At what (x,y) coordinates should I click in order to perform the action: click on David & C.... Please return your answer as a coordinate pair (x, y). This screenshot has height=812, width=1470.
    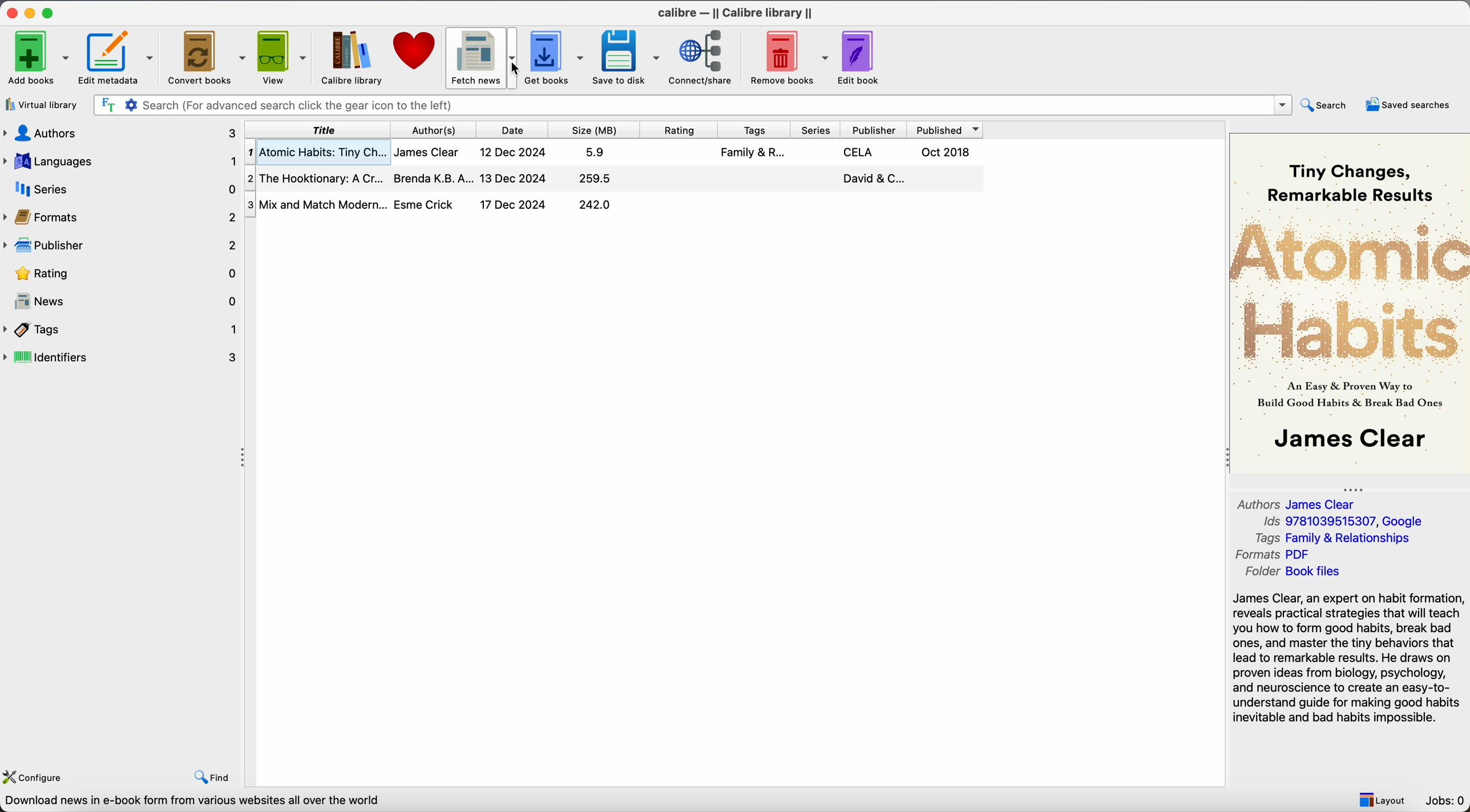
    Looking at the image, I should click on (871, 179).